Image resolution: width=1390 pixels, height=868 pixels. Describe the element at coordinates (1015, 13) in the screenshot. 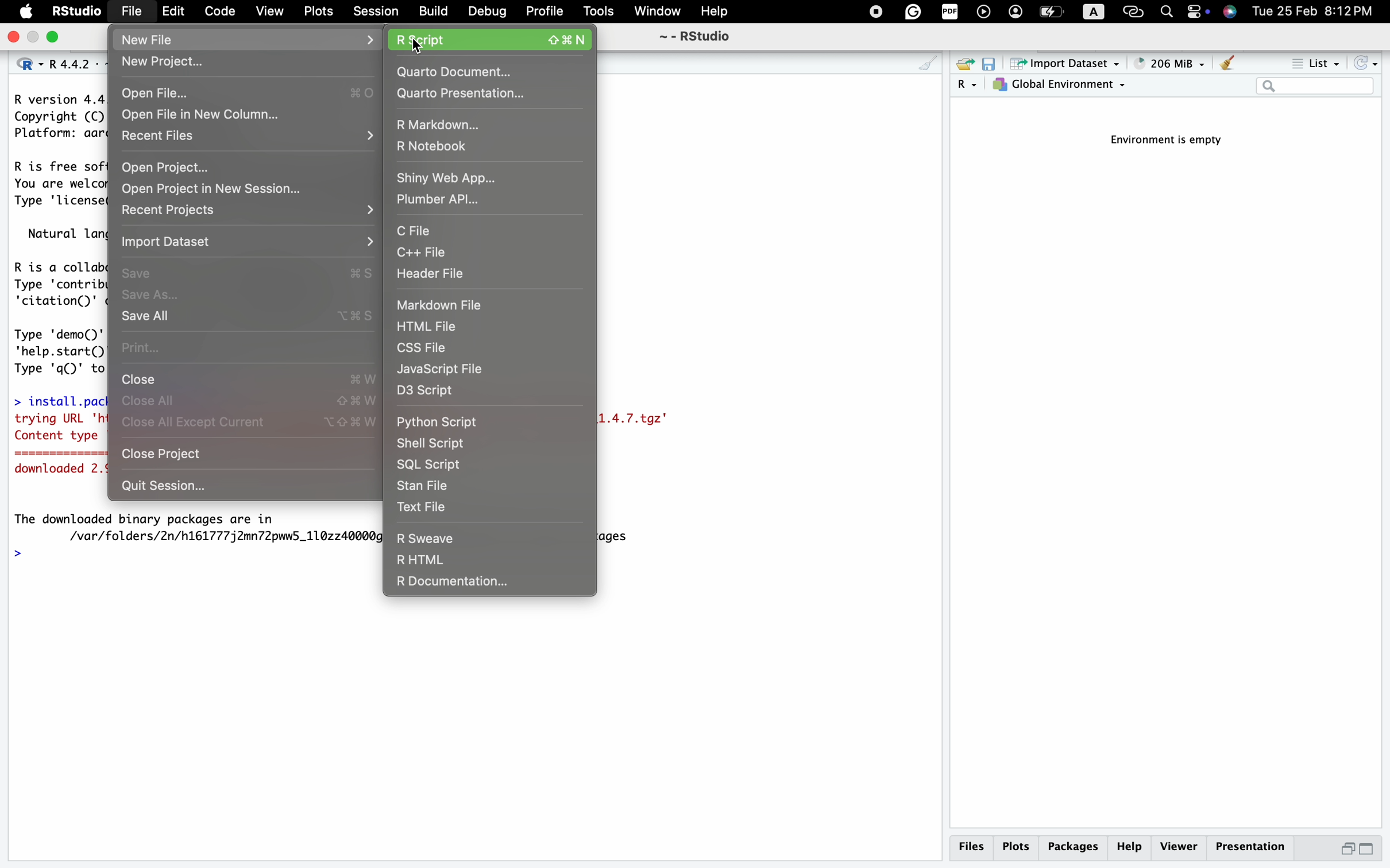

I see `account` at that location.